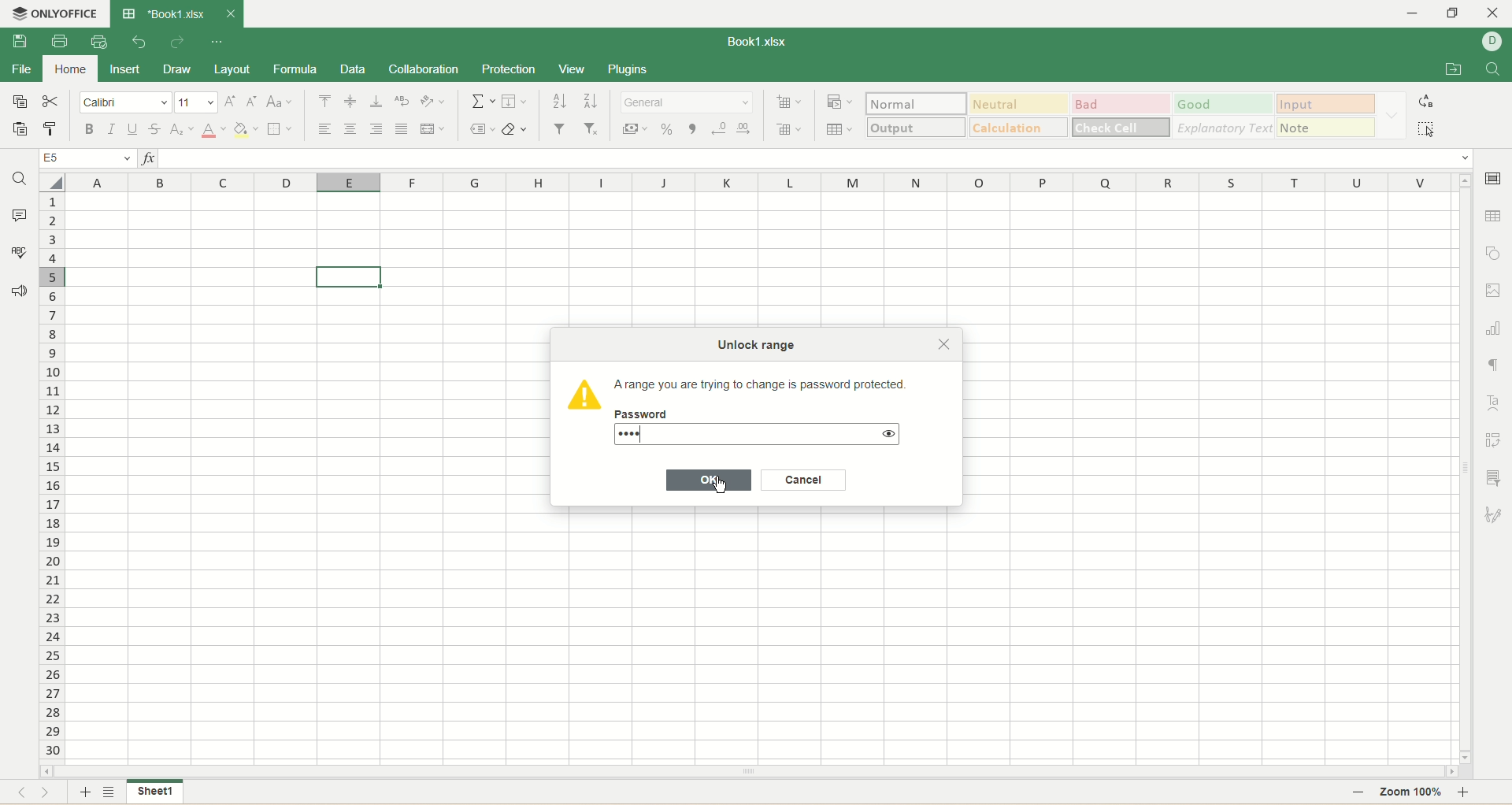  I want to click on good, so click(1221, 105).